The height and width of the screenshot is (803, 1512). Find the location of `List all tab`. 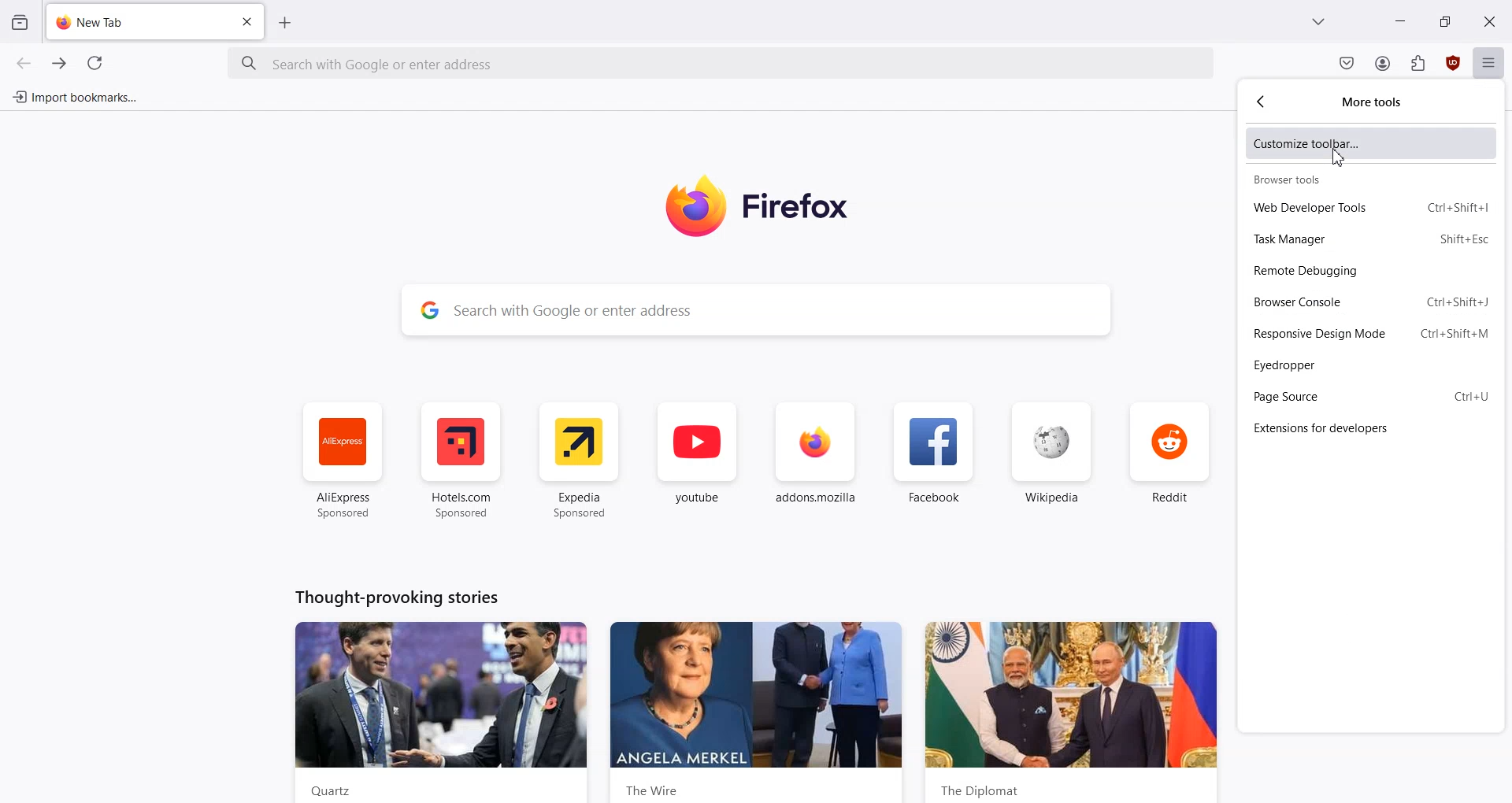

List all tab is located at coordinates (1318, 20).